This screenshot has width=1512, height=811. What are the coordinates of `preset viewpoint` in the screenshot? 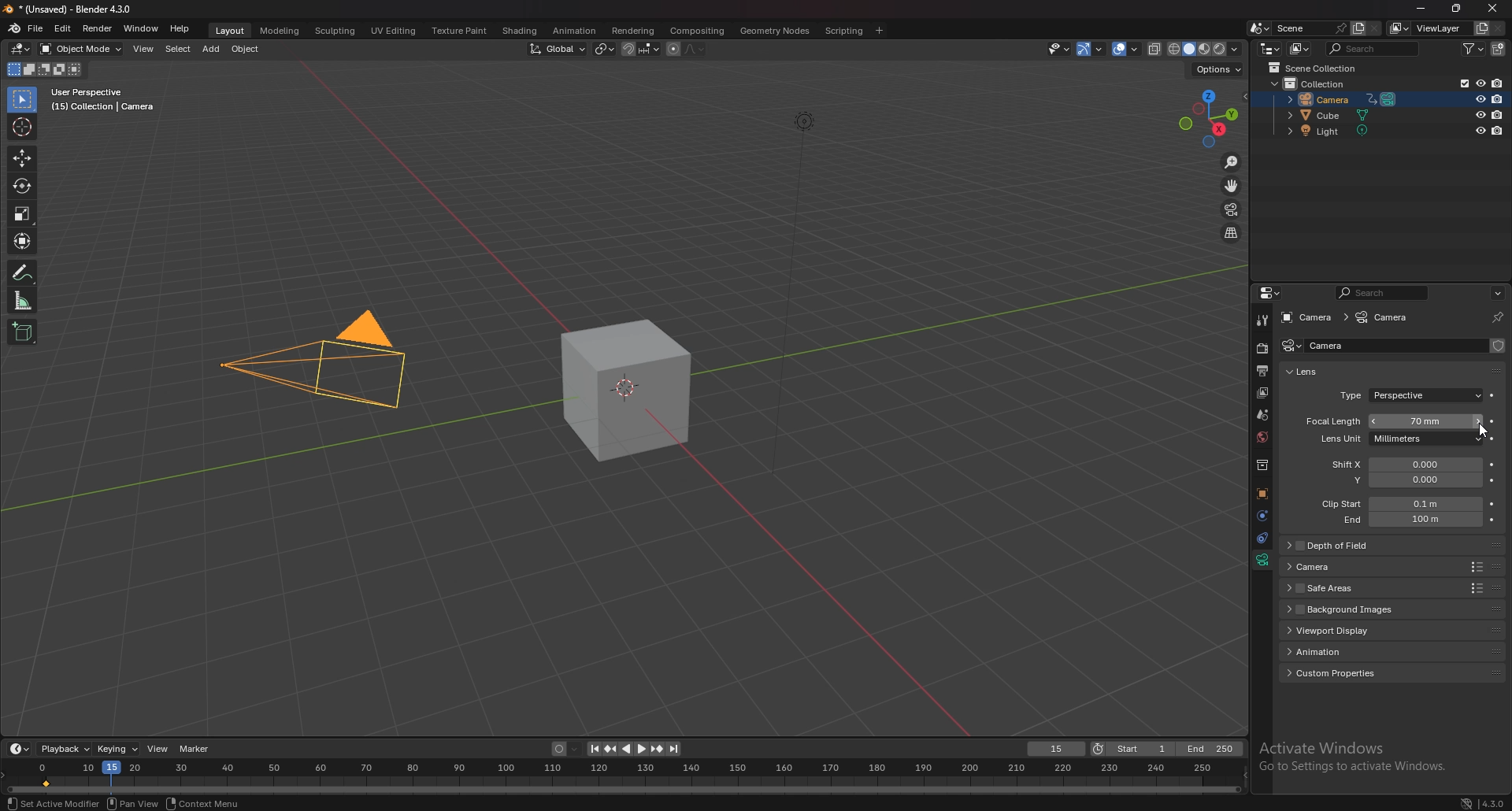 It's located at (1208, 118).